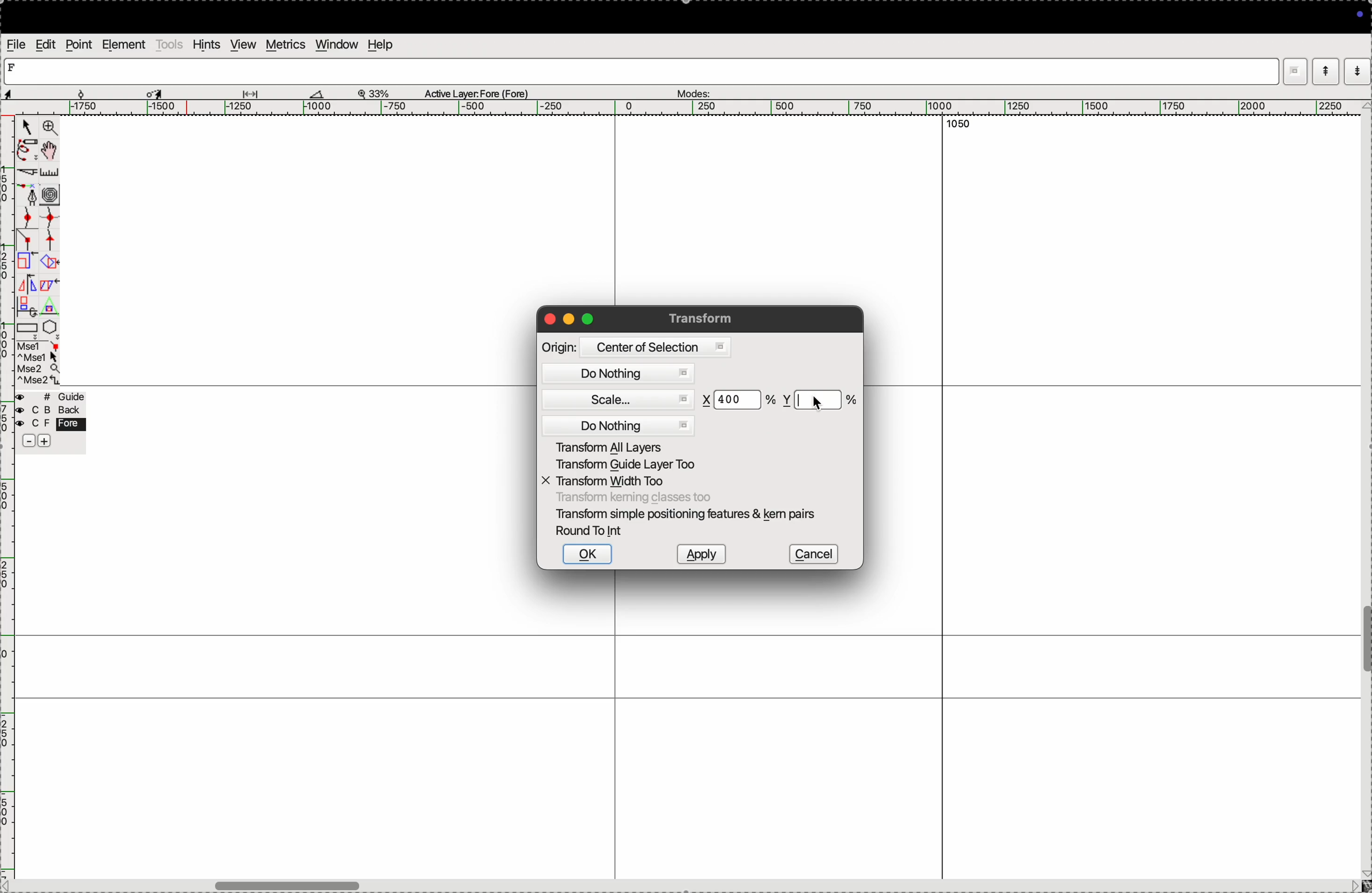  Describe the element at coordinates (624, 466) in the screenshot. I see `trabsform guide layers` at that location.